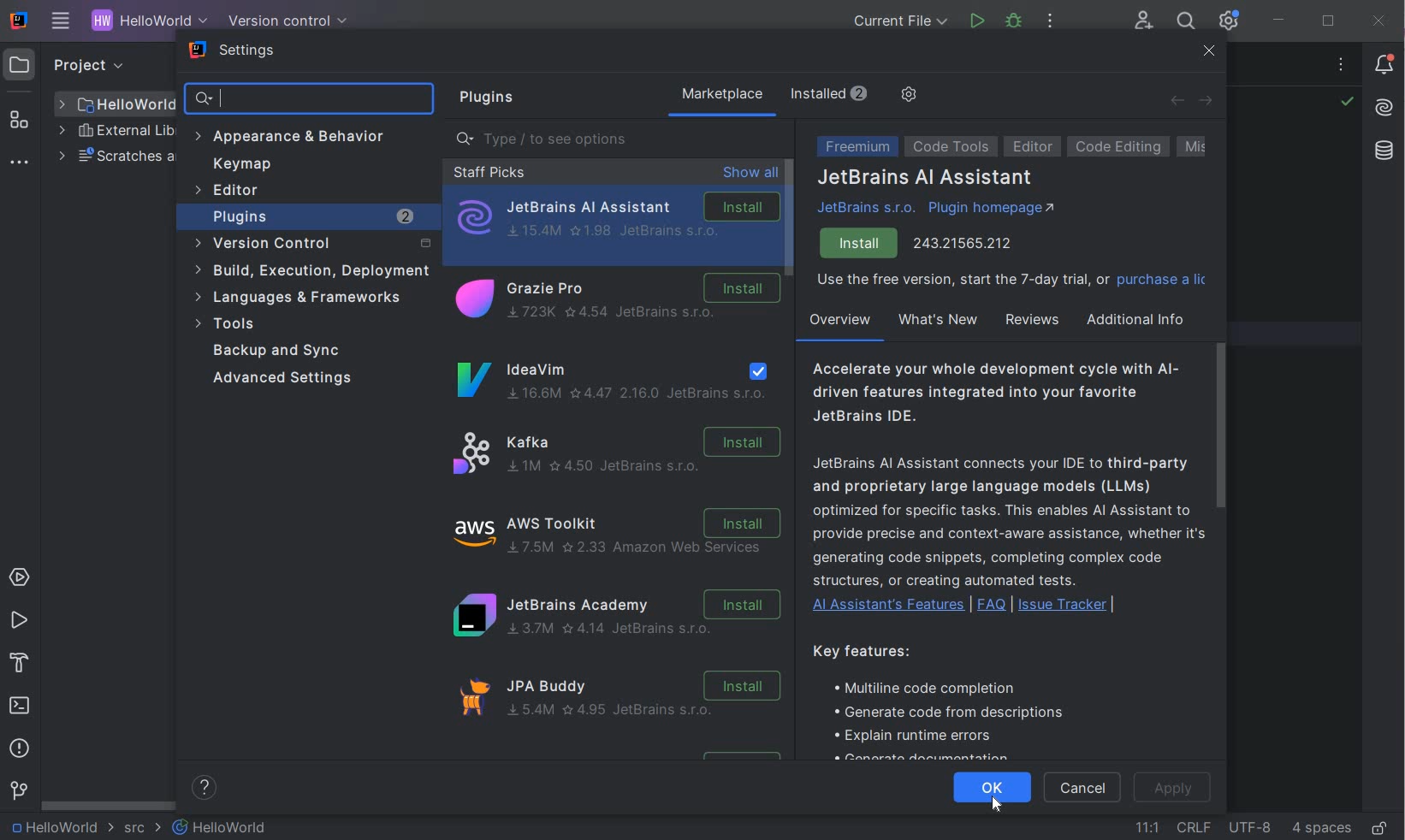 The height and width of the screenshot is (840, 1405). Describe the element at coordinates (1177, 100) in the screenshot. I see `BACK` at that location.